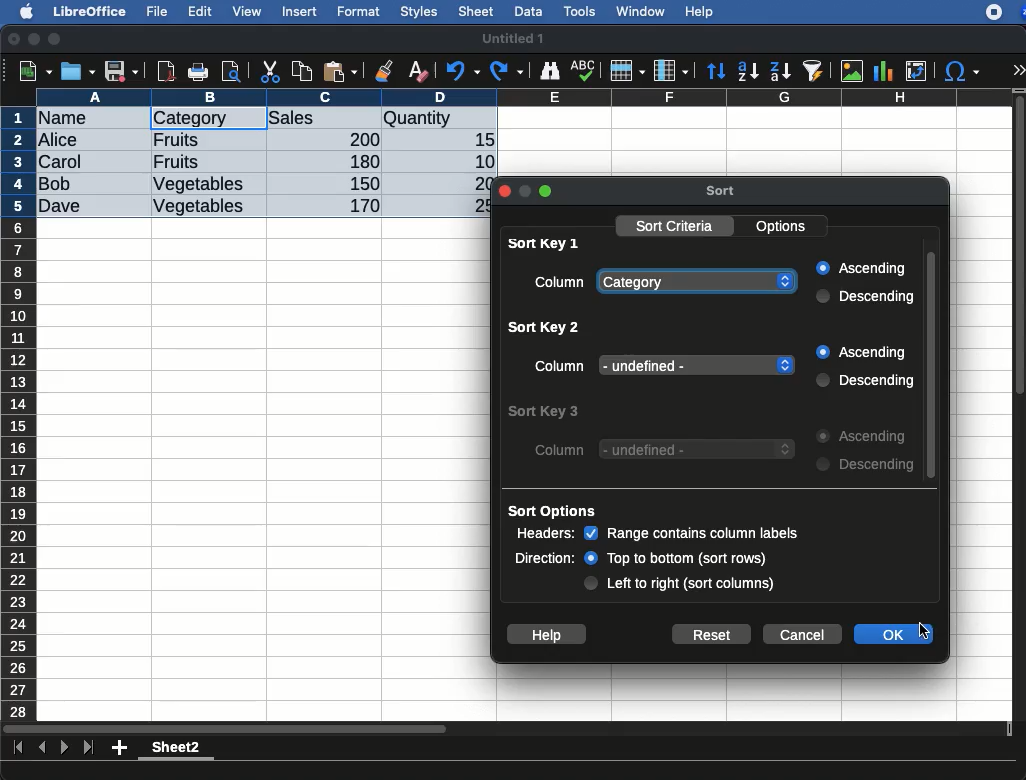  I want to click on sort key 1, so click(544, 242).